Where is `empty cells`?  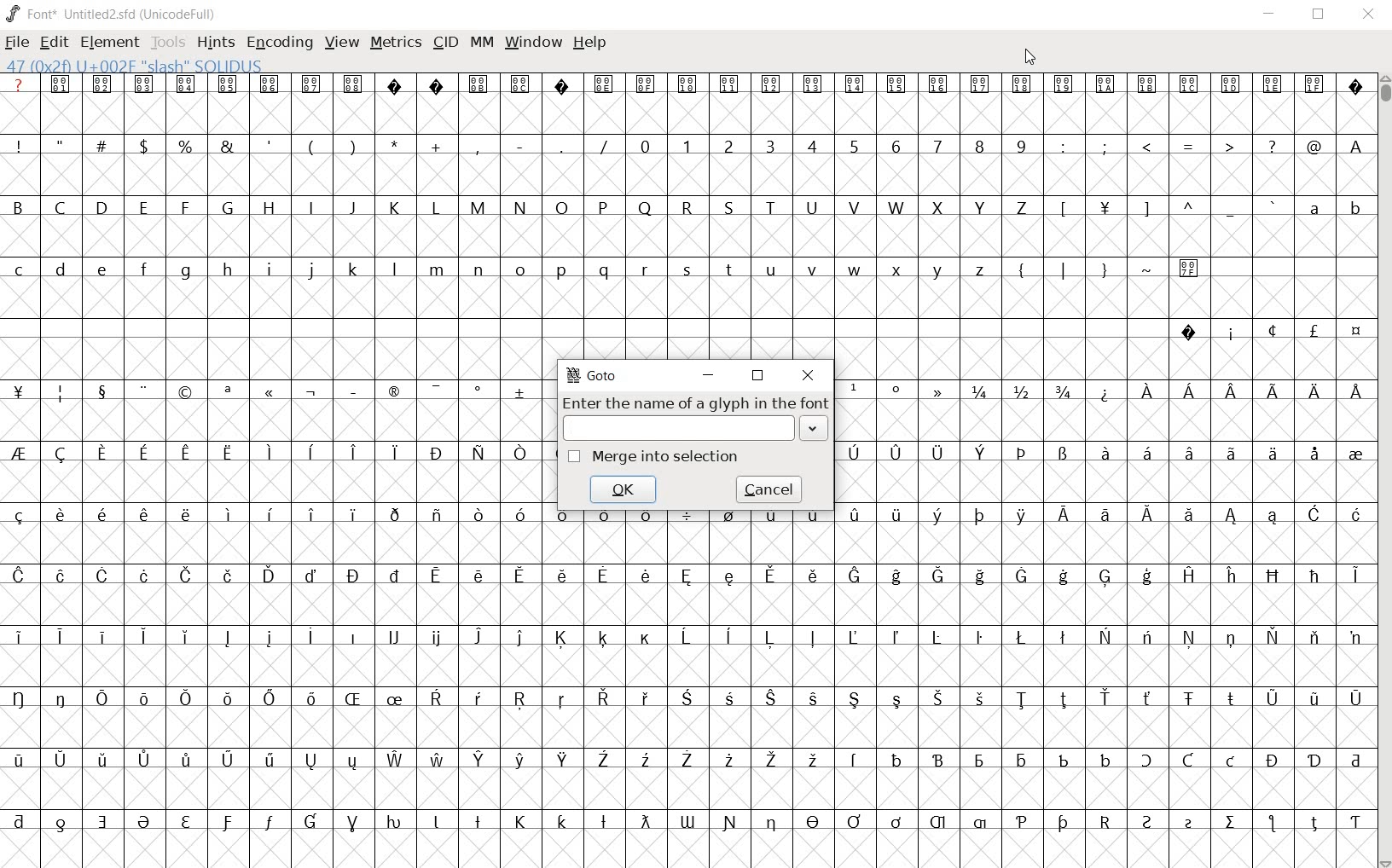 empty cells is located at coordinates (688, 115).